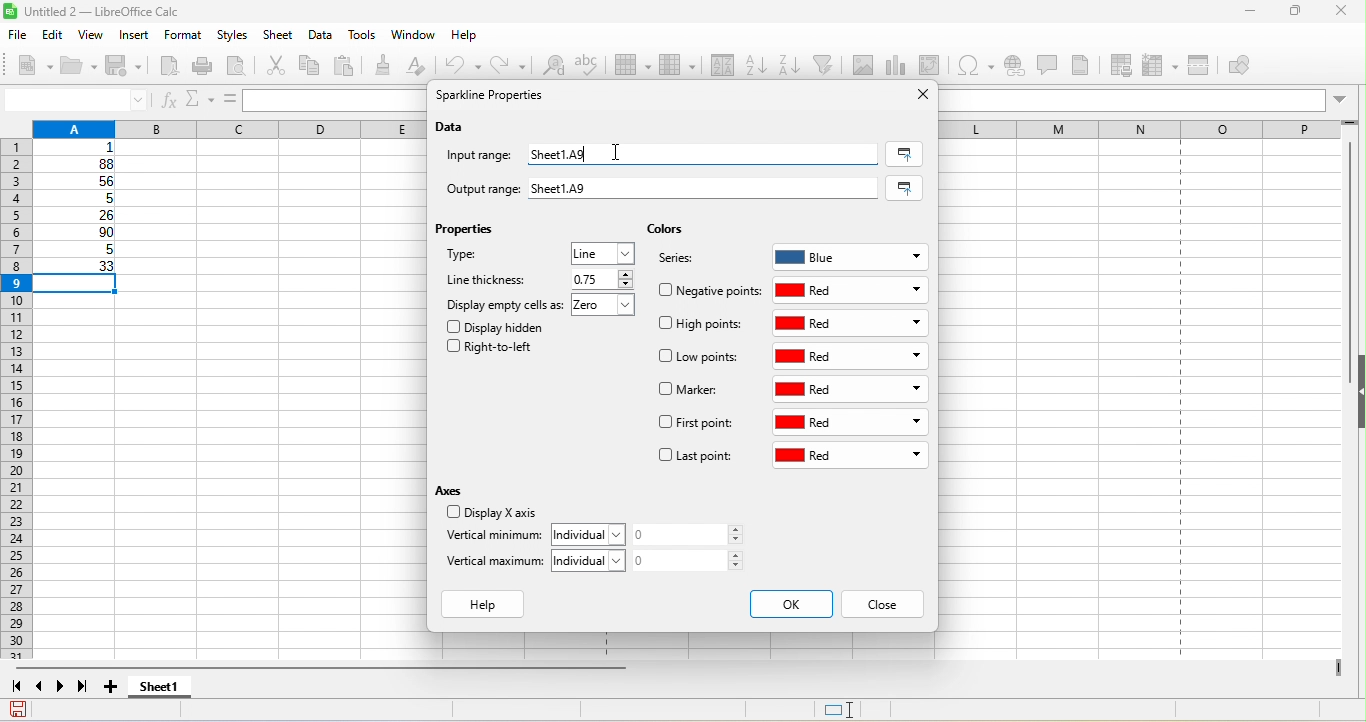  I want to click on 0.75, so click(600, 279).